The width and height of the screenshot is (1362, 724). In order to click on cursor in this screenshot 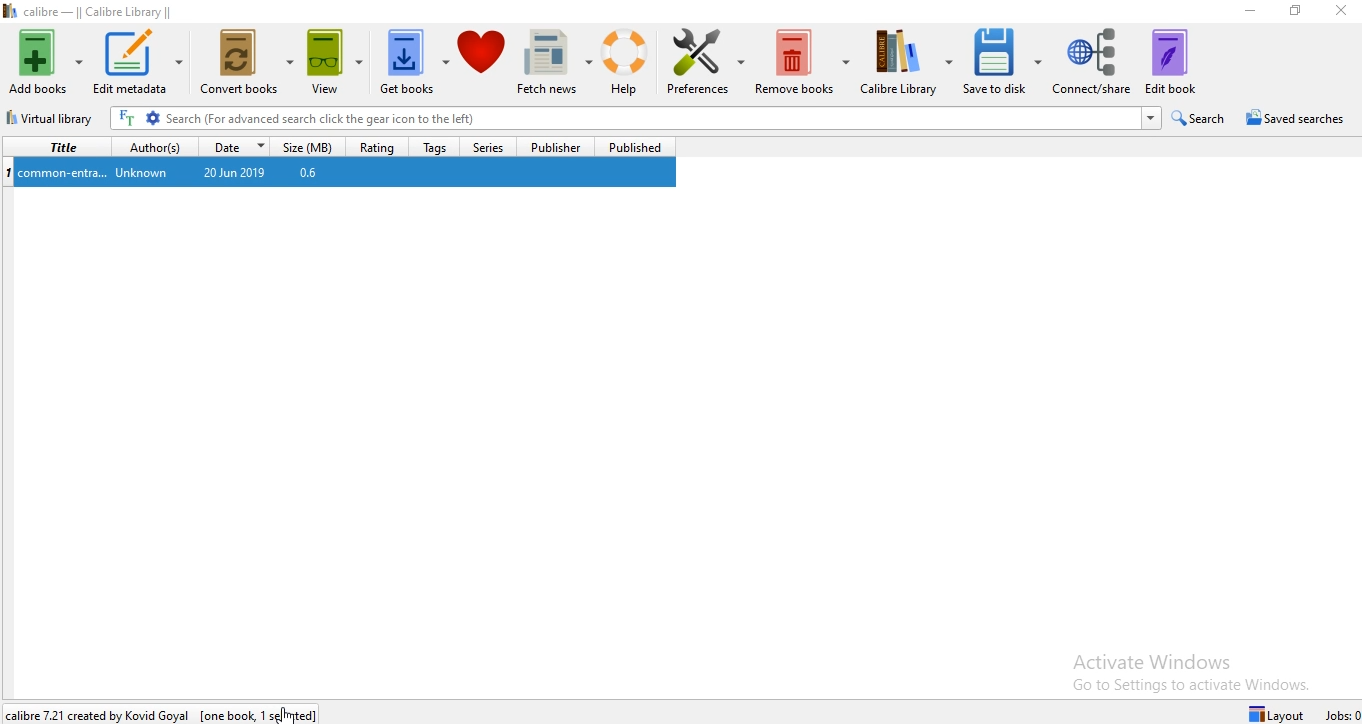, I will do `click(289, 712)`.